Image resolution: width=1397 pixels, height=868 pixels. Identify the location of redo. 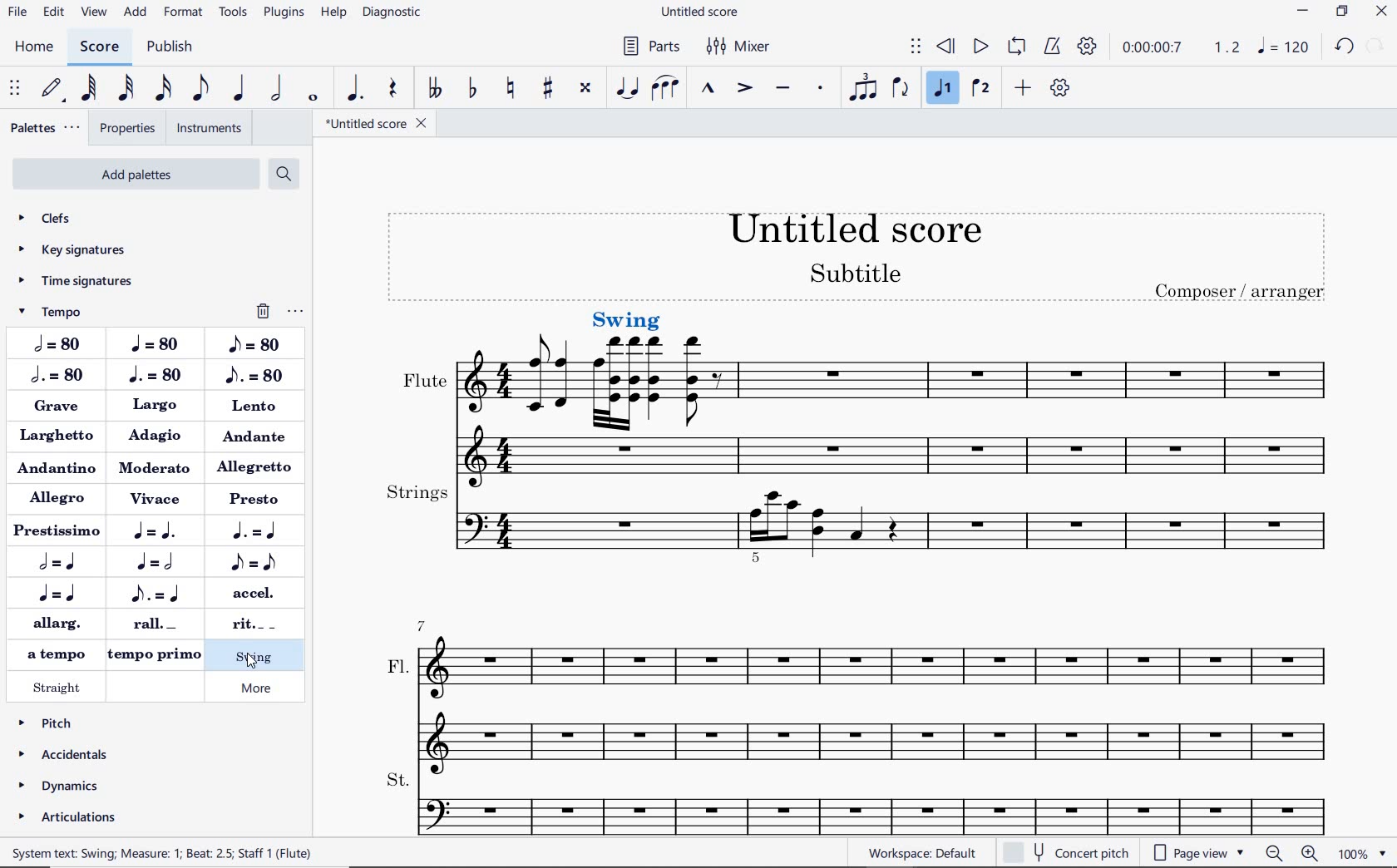
(1376, 47).